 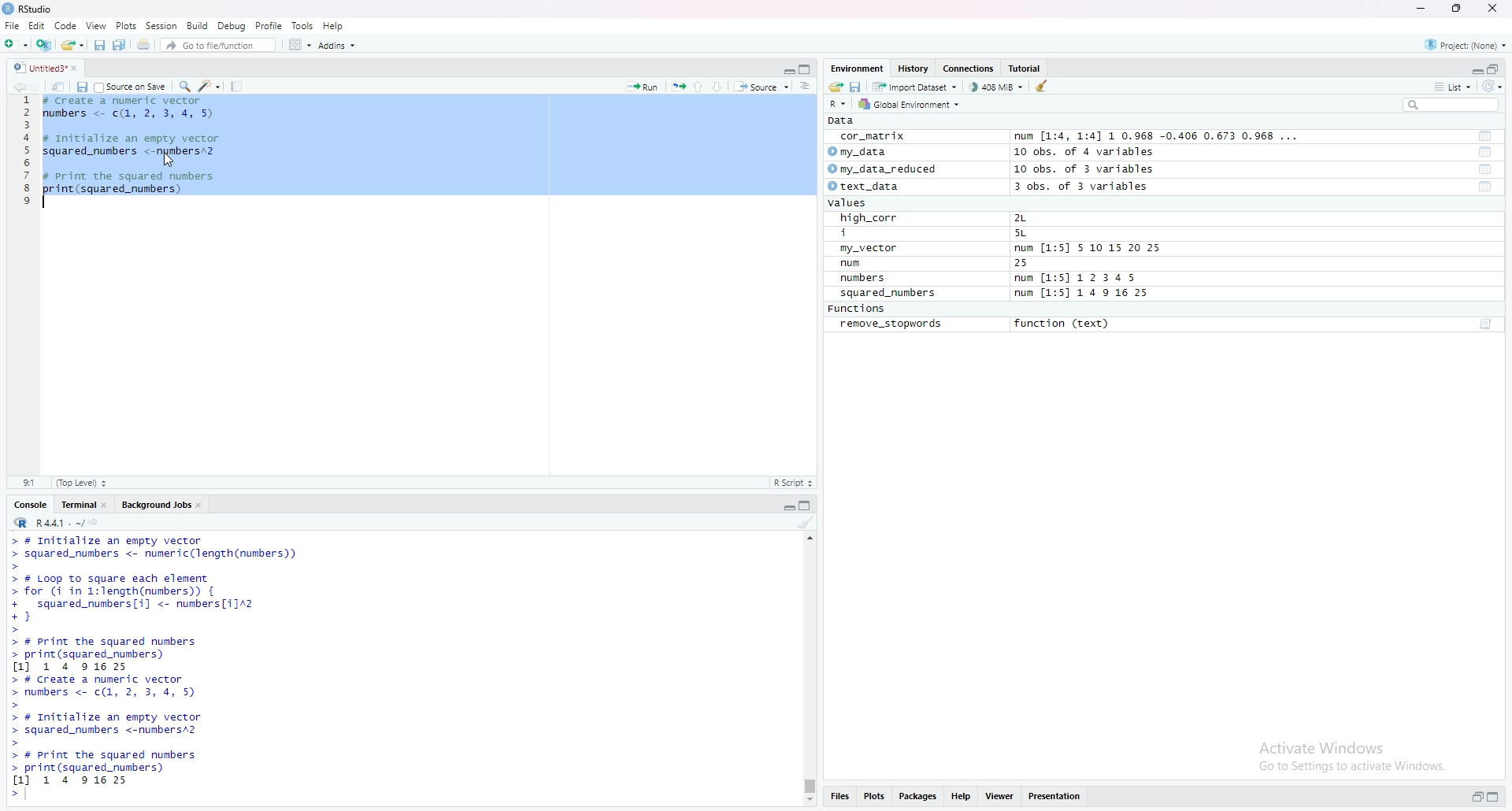 I want to click on Console, so click(x=31, y=503).